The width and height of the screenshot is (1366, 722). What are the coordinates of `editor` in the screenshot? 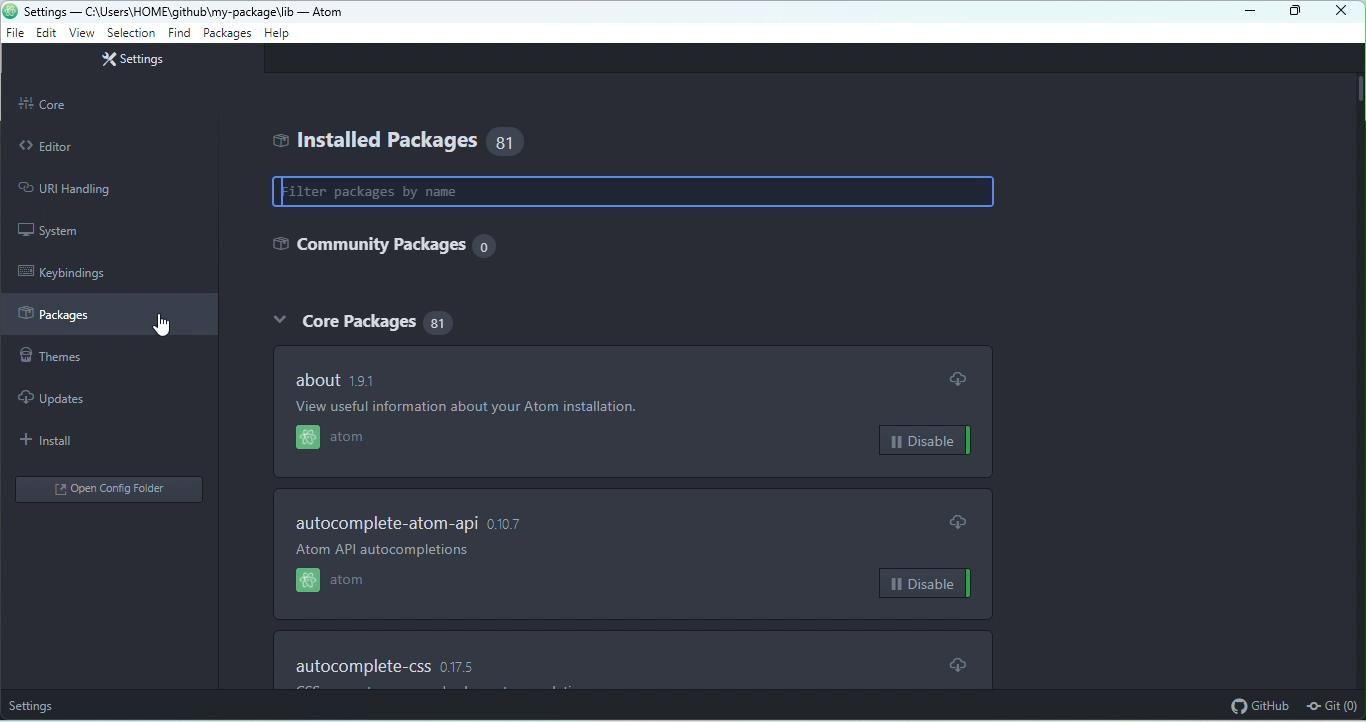 It's located at (108, 147).